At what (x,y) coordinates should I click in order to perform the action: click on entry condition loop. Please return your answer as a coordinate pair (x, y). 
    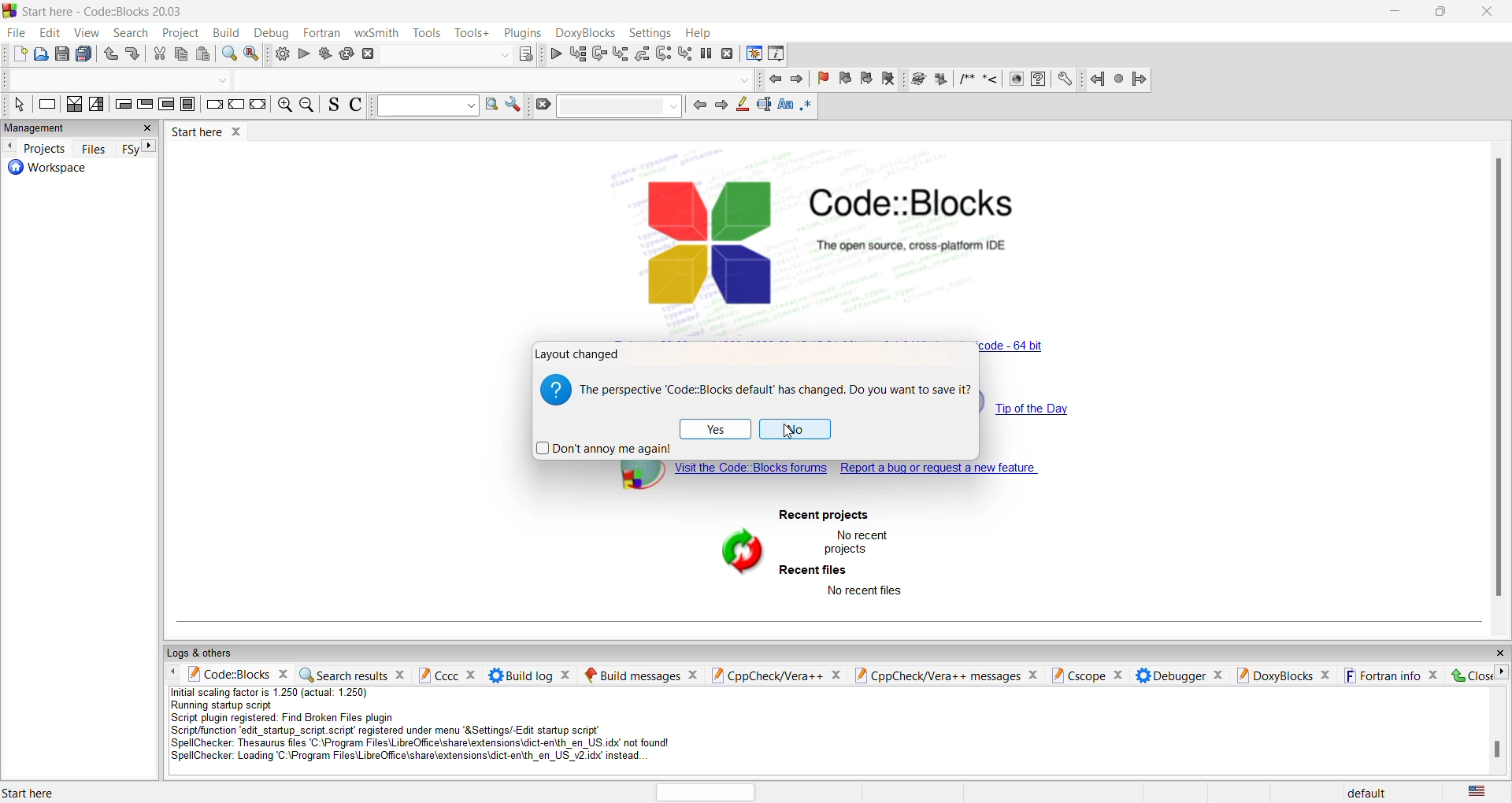
    Looking at the image, I should click on (121, 105).